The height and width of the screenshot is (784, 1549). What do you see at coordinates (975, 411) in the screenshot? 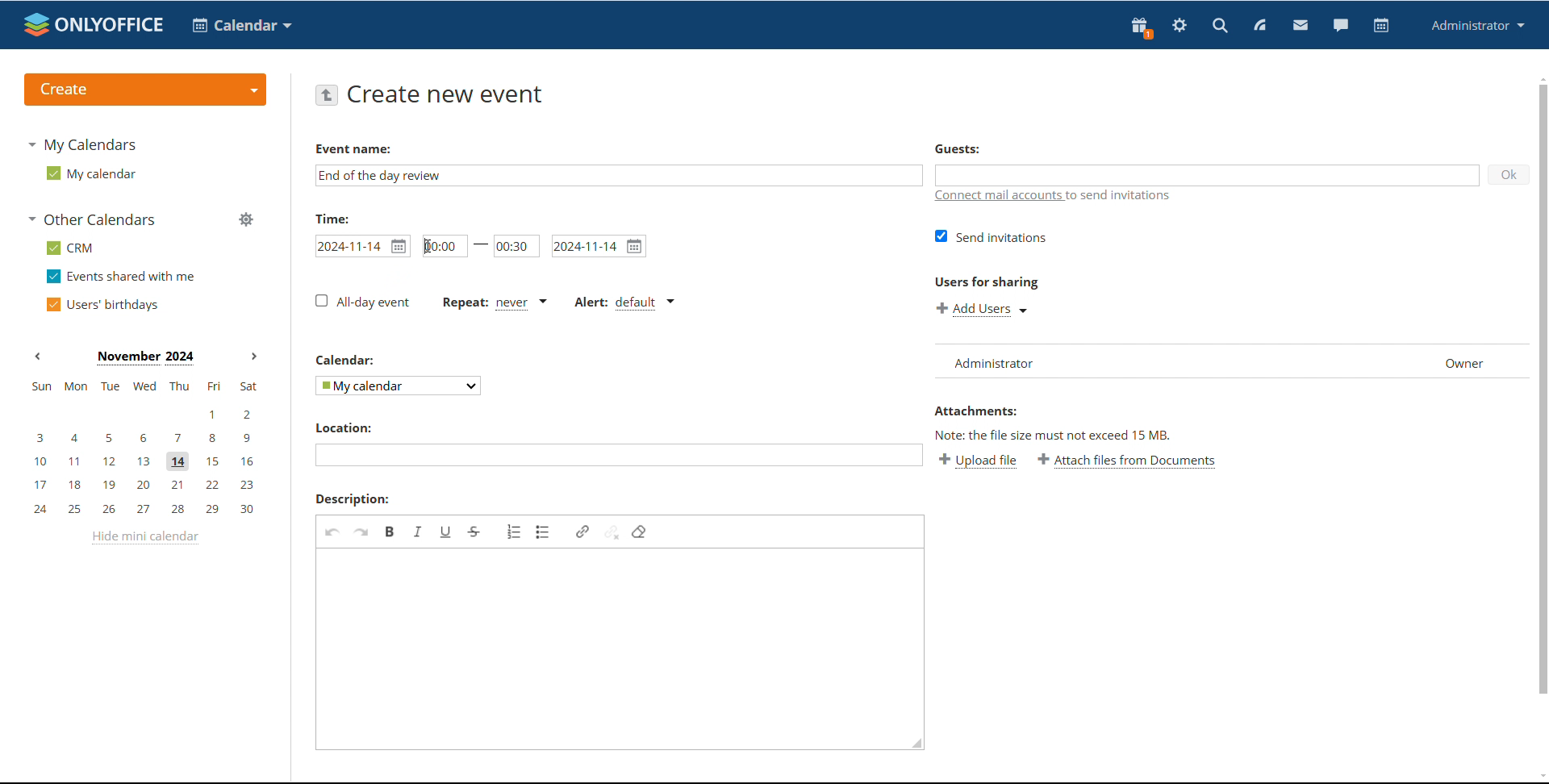
I see `Attachments` at bounding box center [975, 411].